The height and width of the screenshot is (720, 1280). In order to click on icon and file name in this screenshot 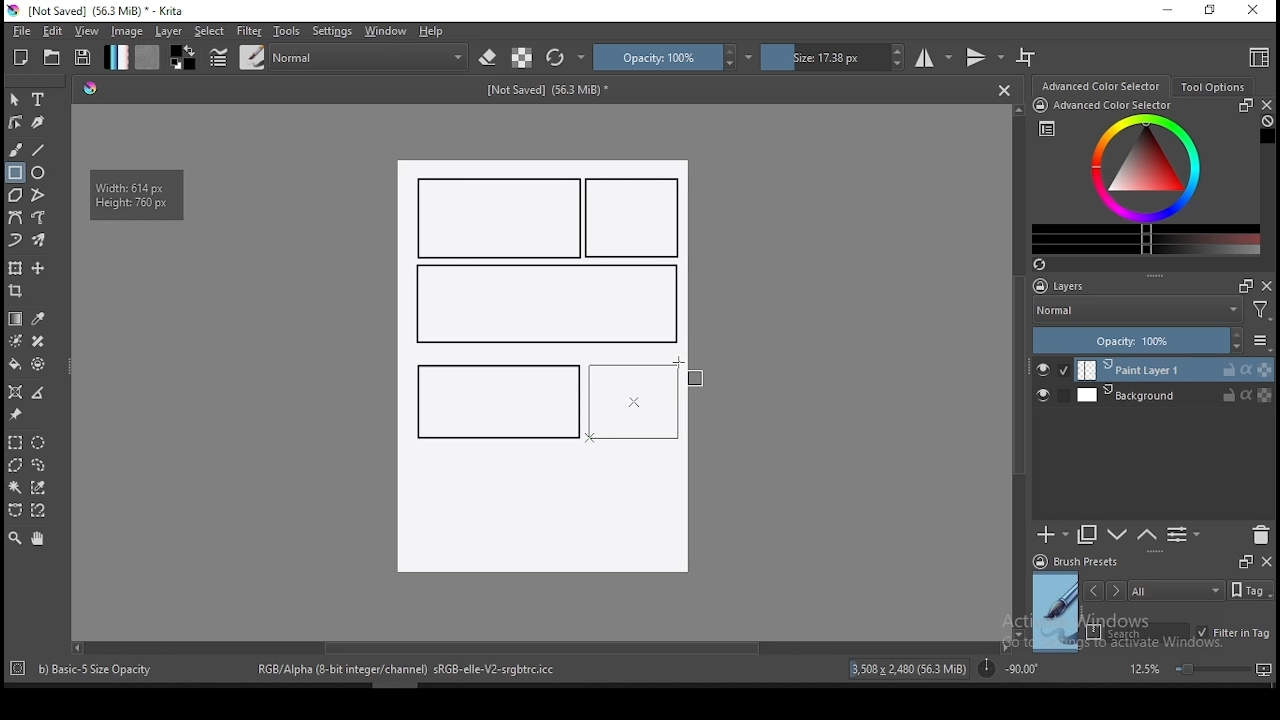, I will do `click(99, 11)`.